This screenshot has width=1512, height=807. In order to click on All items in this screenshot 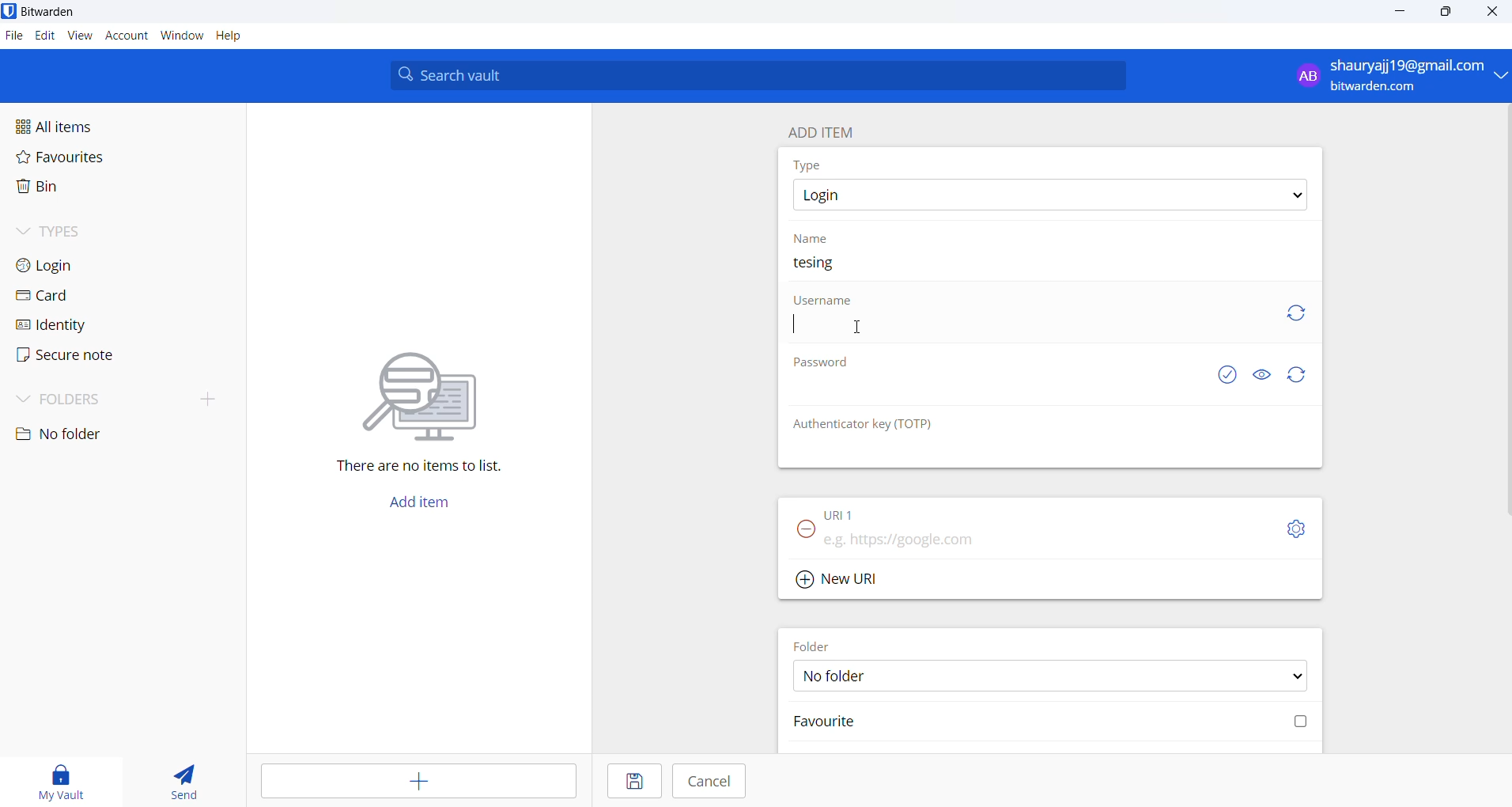, I will do `click(90, 125)`.